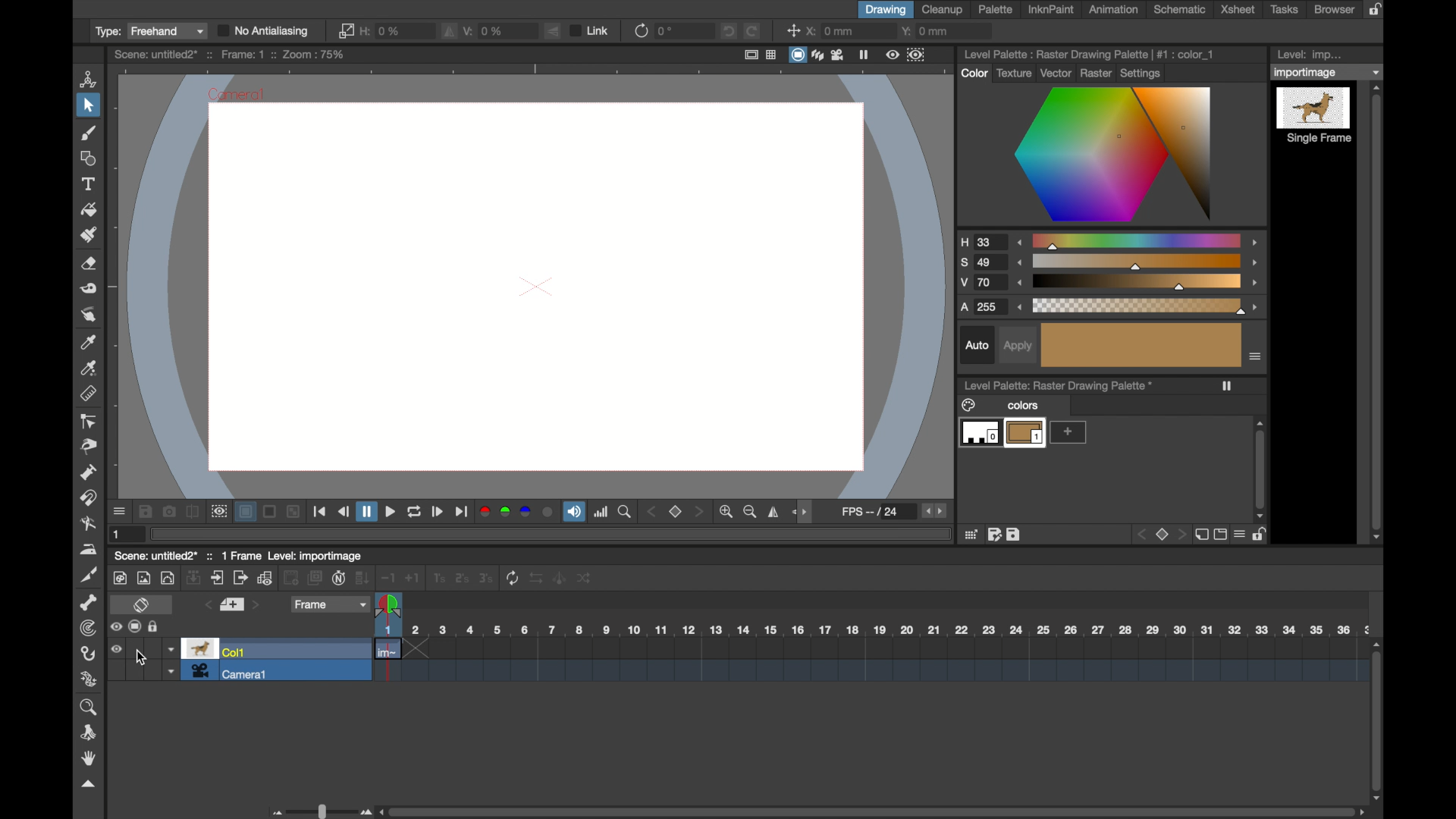 The image size is (1456, 819). Describe the element at coordinates (1142, 345) in the screenshot. I see `beige color` at that location.